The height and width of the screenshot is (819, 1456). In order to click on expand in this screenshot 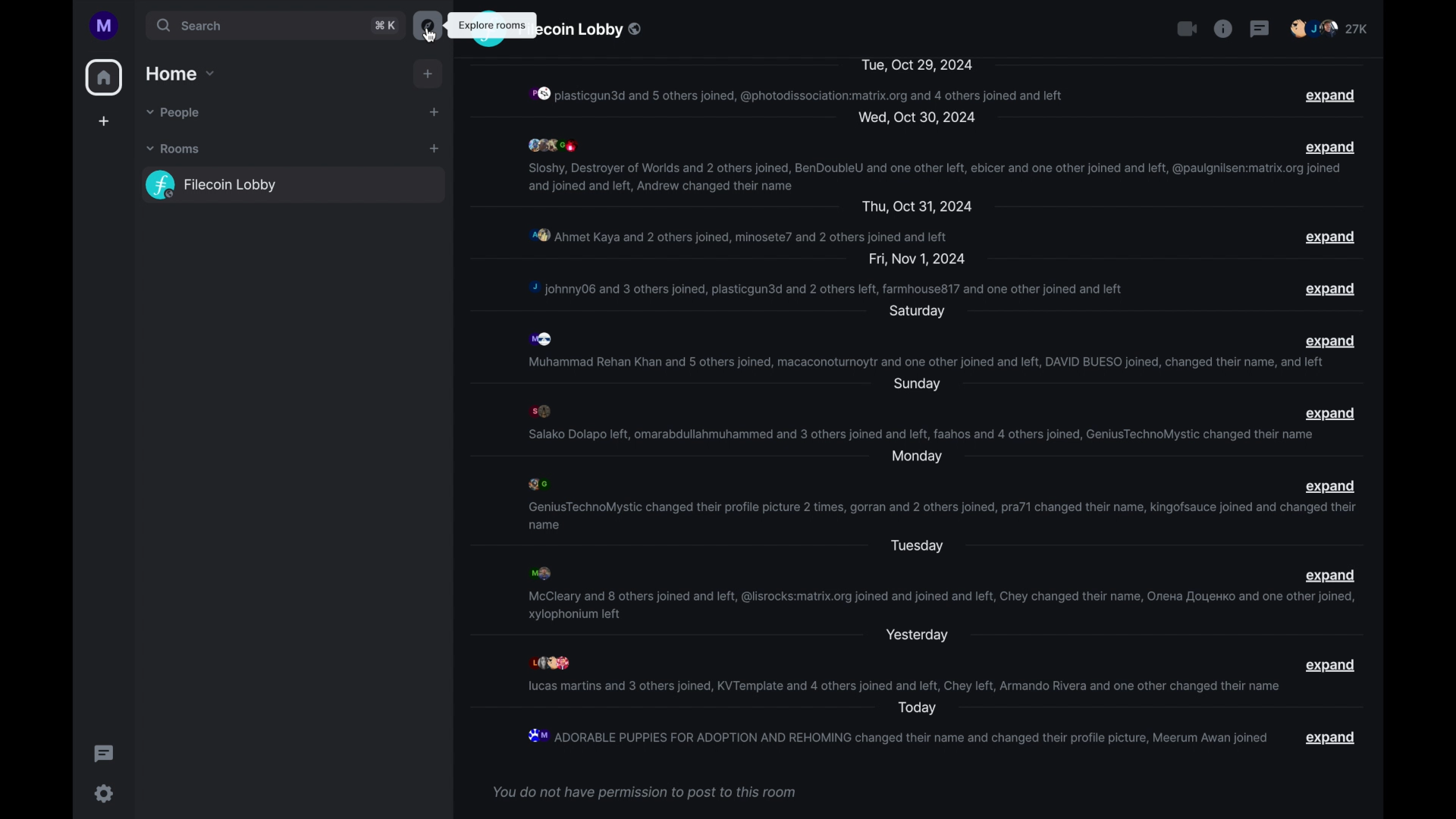, I will do `click(1332, 737)`.